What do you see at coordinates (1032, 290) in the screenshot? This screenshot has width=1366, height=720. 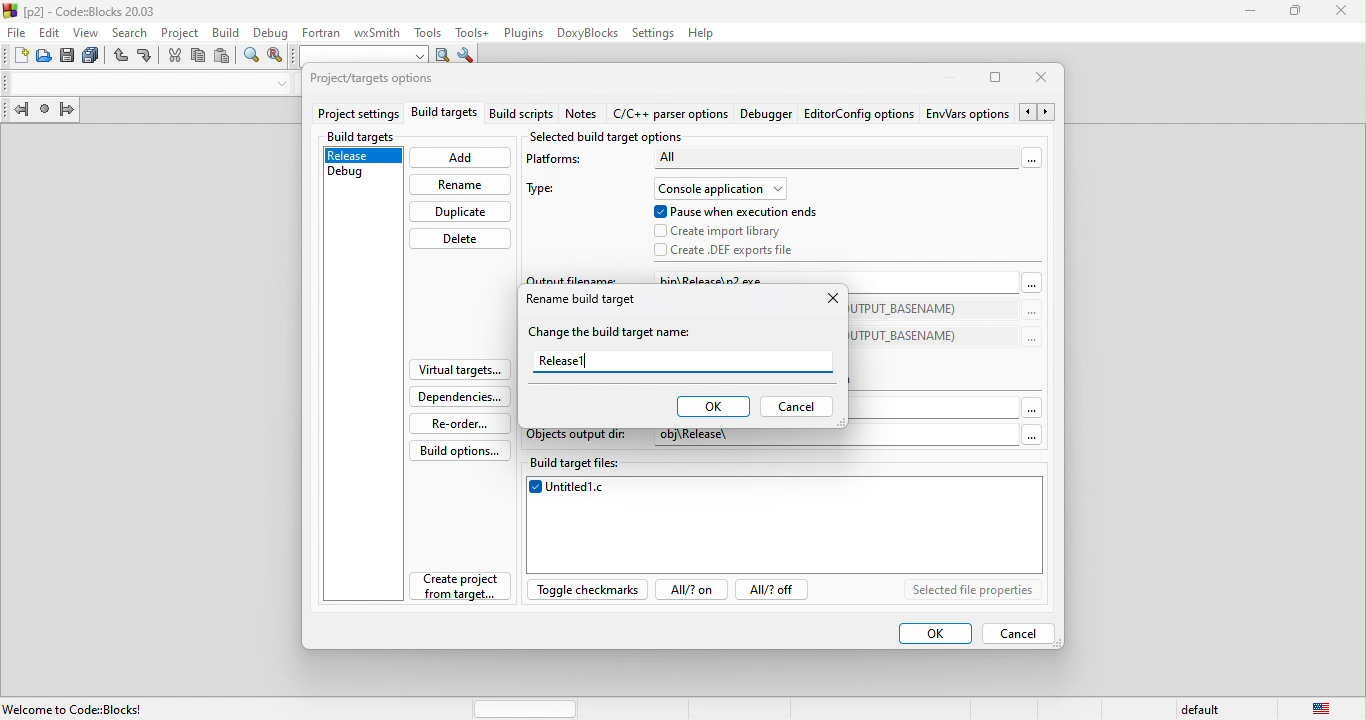 I see `more` at bounding box center [1032, 290].